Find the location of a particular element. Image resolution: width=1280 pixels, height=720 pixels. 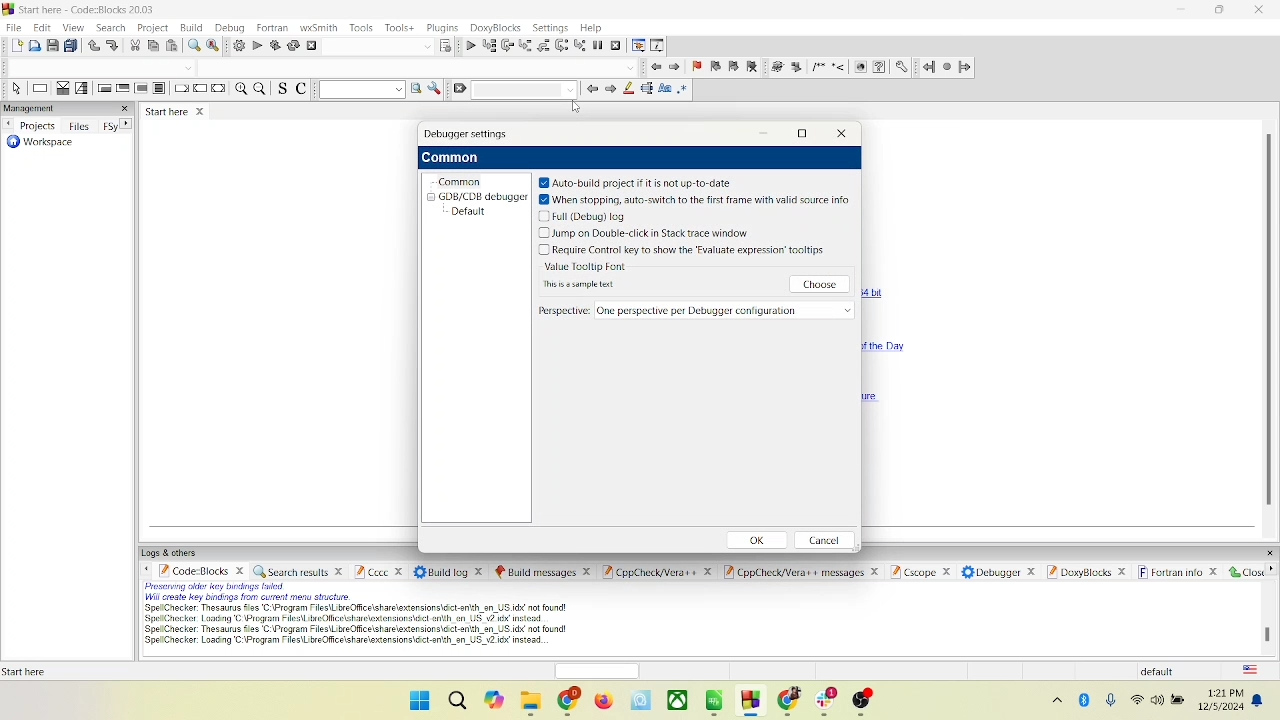

ok is located at coordinates (752, 541).